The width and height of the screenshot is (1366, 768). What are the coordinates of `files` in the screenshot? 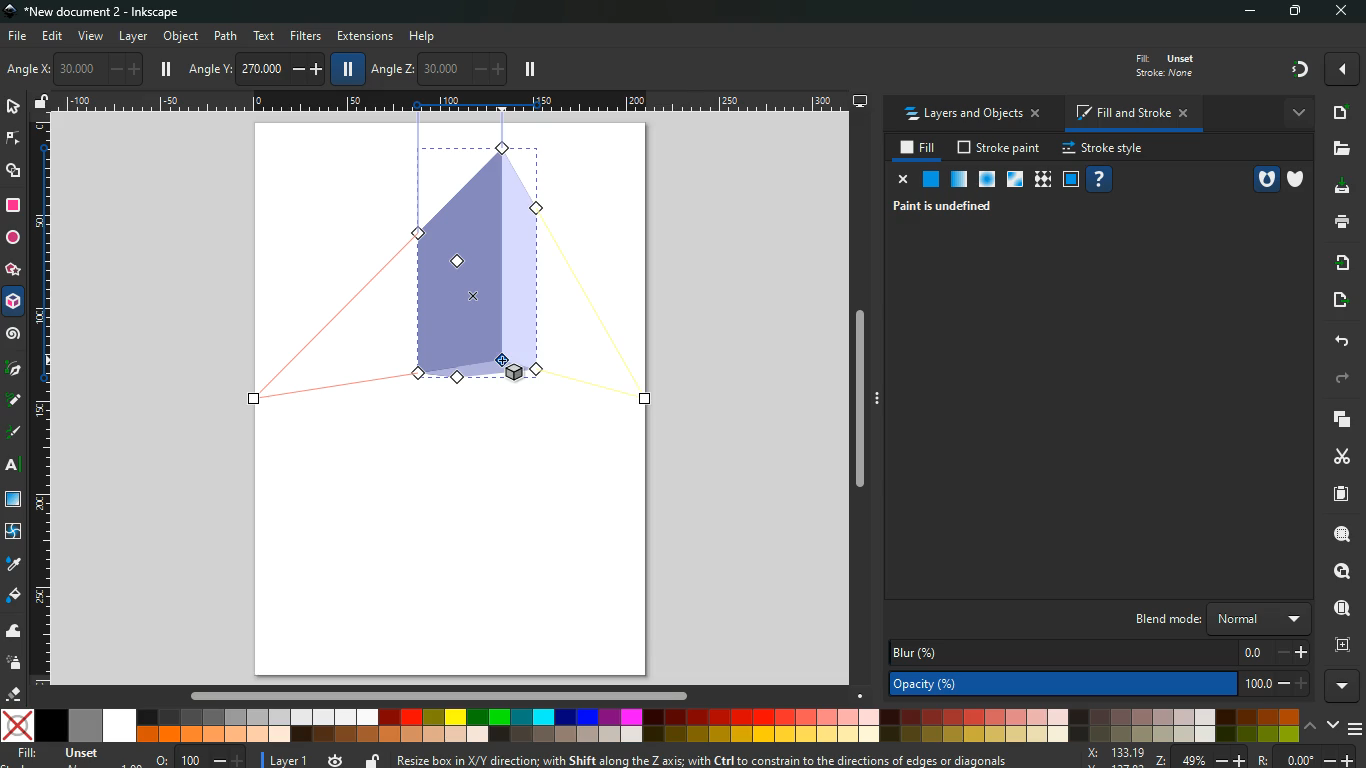 It's located at (1339, 150).